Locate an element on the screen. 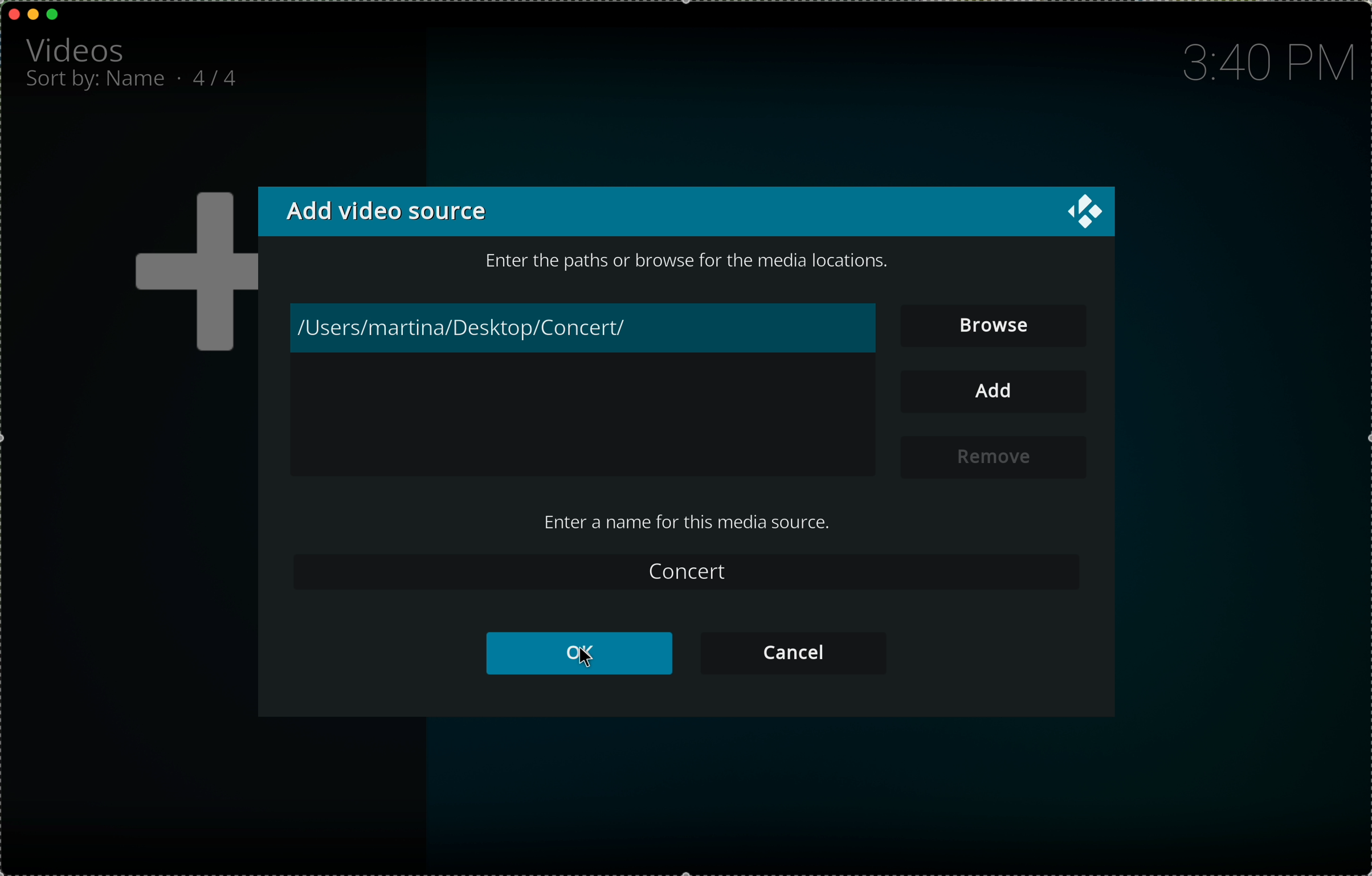 This screenshot has width=1372, height=876. Enter a name for this media source. is located at coordinates (684, 522).